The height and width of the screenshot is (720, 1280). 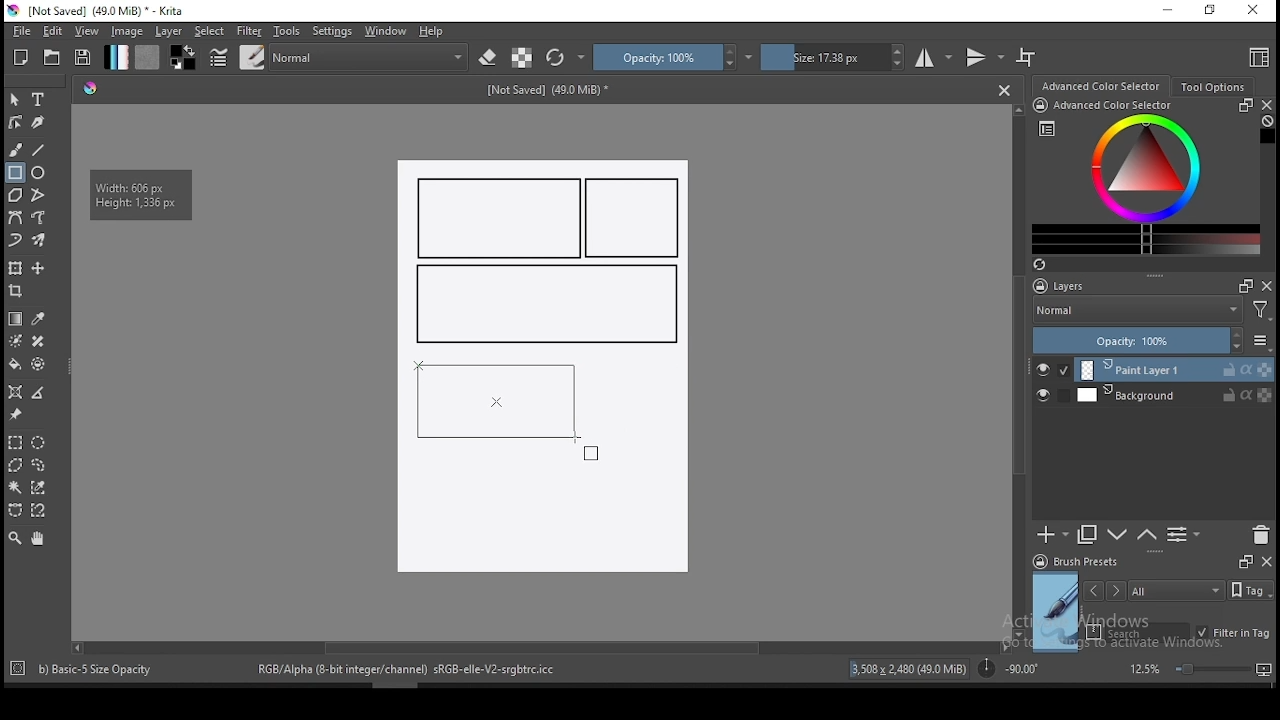 What do you see at coordinates (1233, 634) in the screenshot?
I see `filter in tag` at bounding box center [1233, 634].